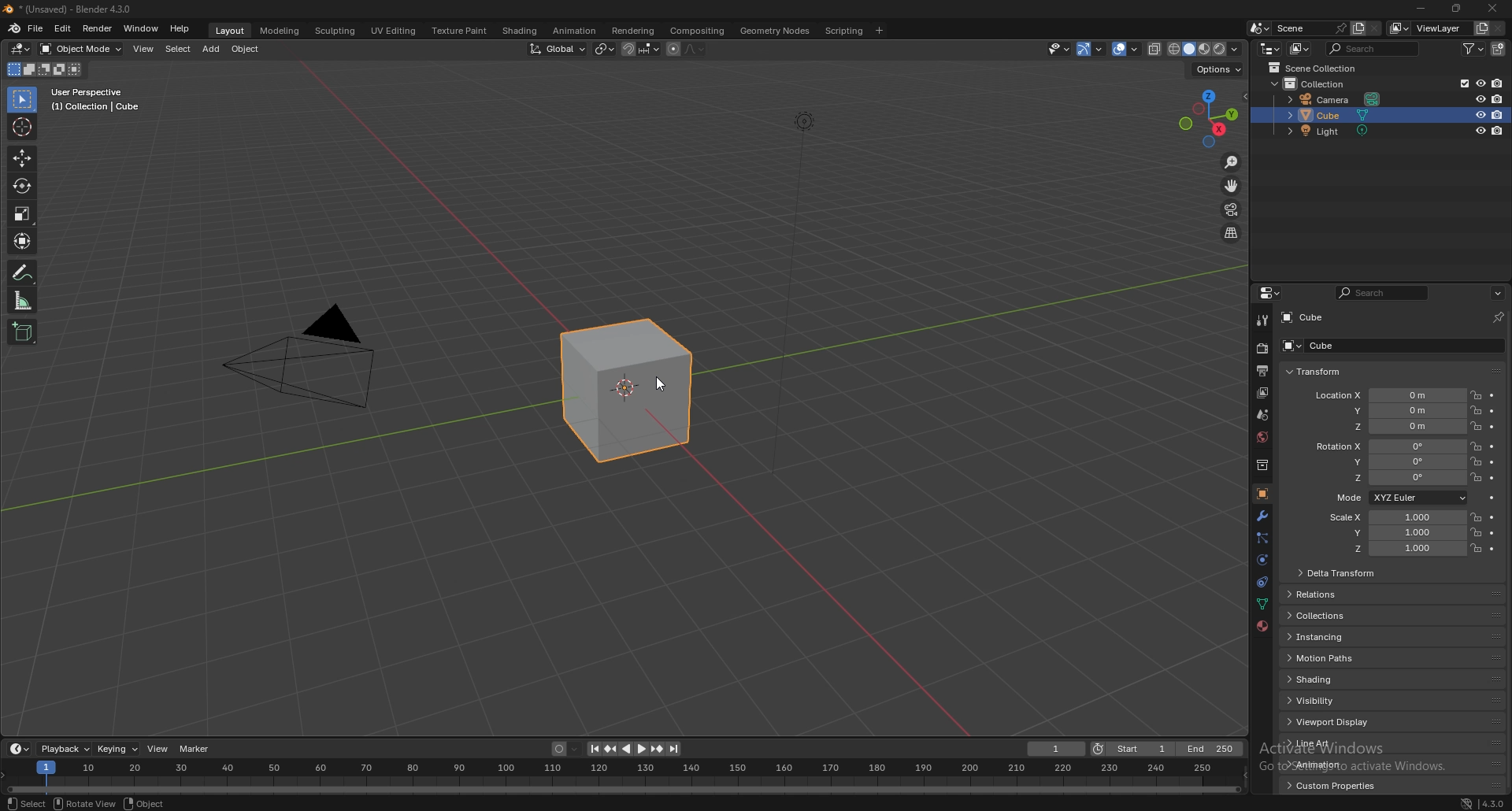 Image resolution: width=1512 pixels, height=811 pixels. What do you see at coordinates (565, 749) in the screenshot?
I see `auto keying` at bounding box center [565, 749].